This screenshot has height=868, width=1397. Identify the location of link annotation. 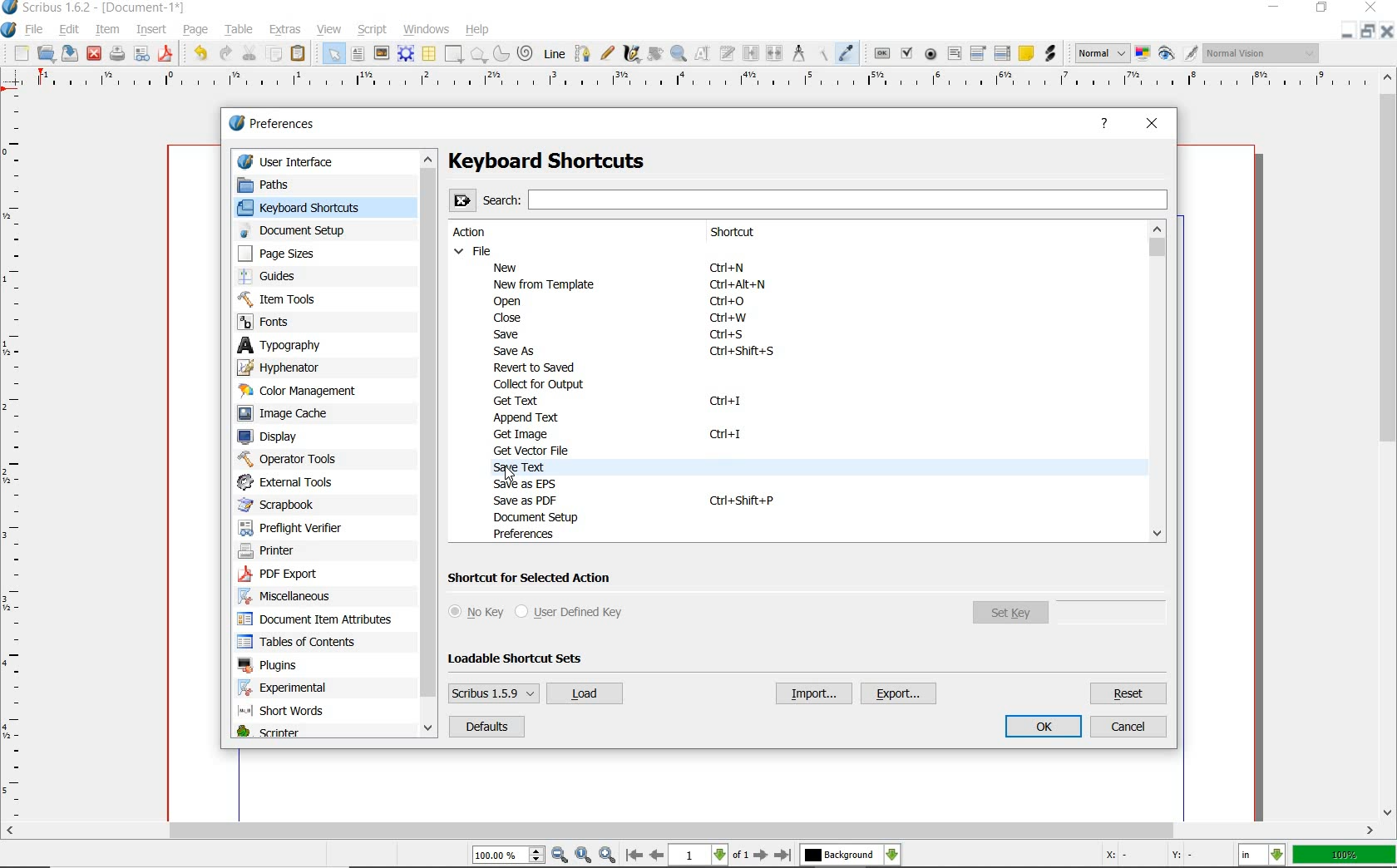
(1050, 52).